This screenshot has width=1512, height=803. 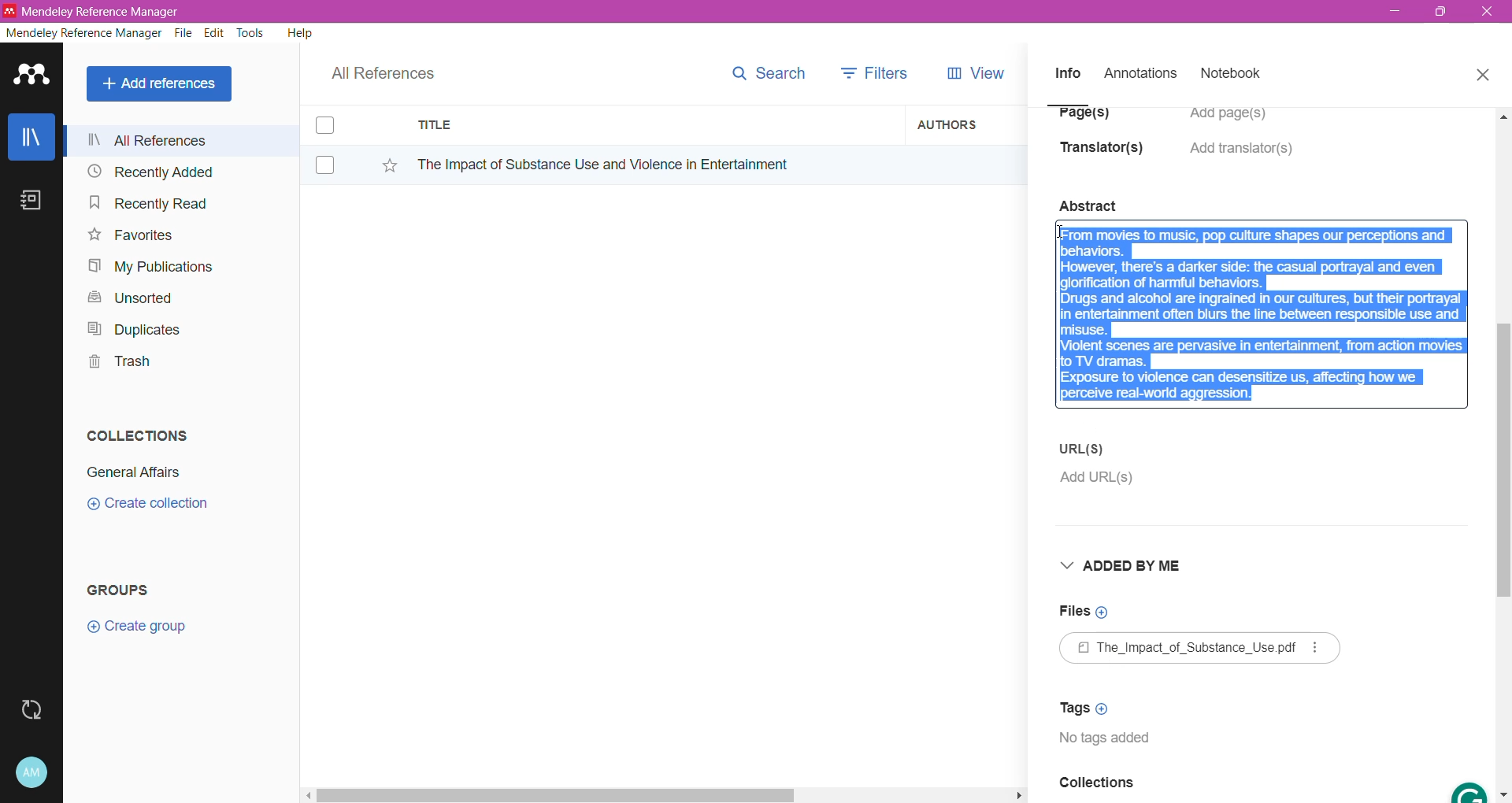 What do you see at coordinates (94, 11) in the screenshot?
I see `Application Name` at bounding box center [94, 11].